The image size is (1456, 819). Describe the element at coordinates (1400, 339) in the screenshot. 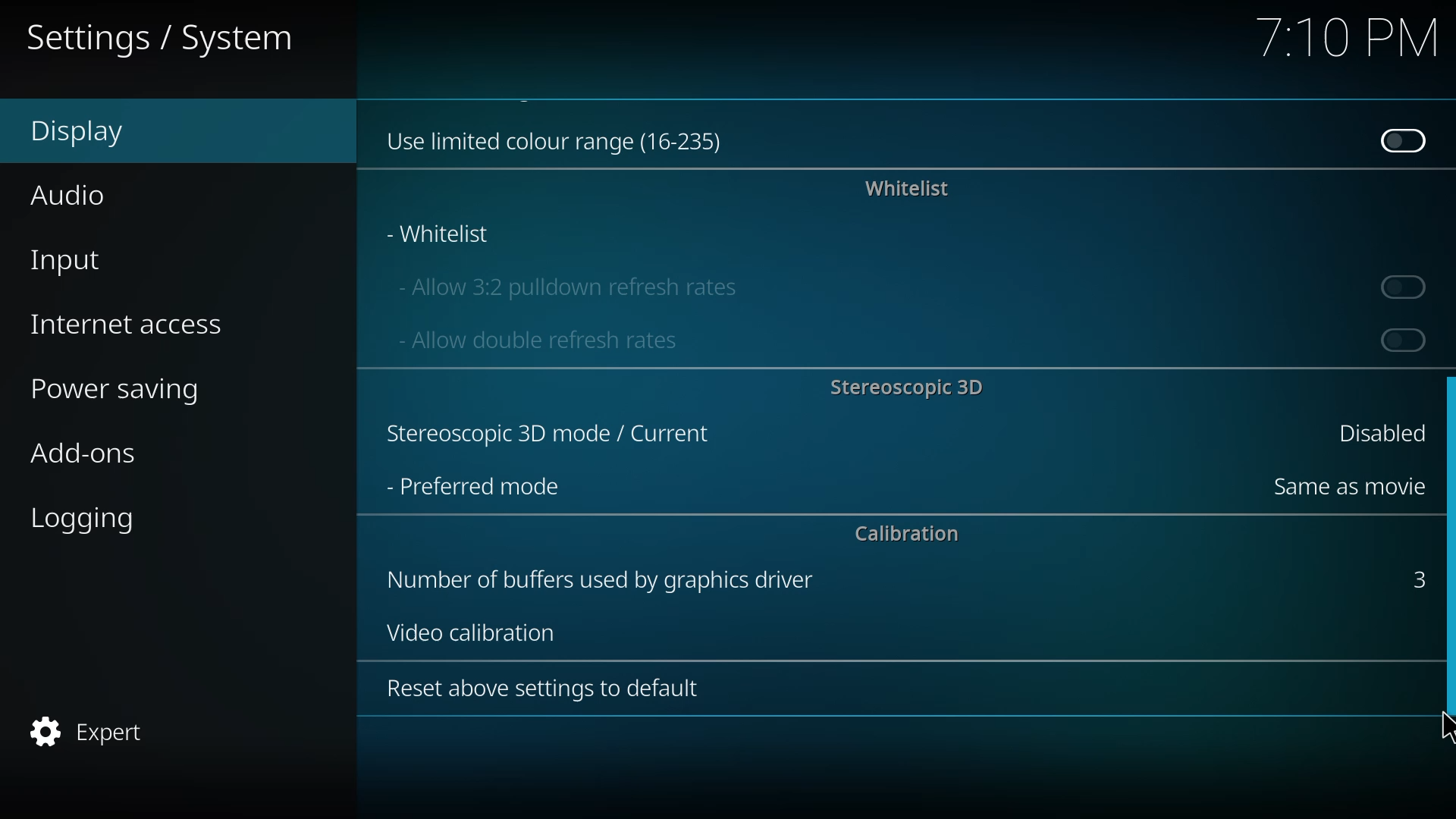

I see `enable` at that location.